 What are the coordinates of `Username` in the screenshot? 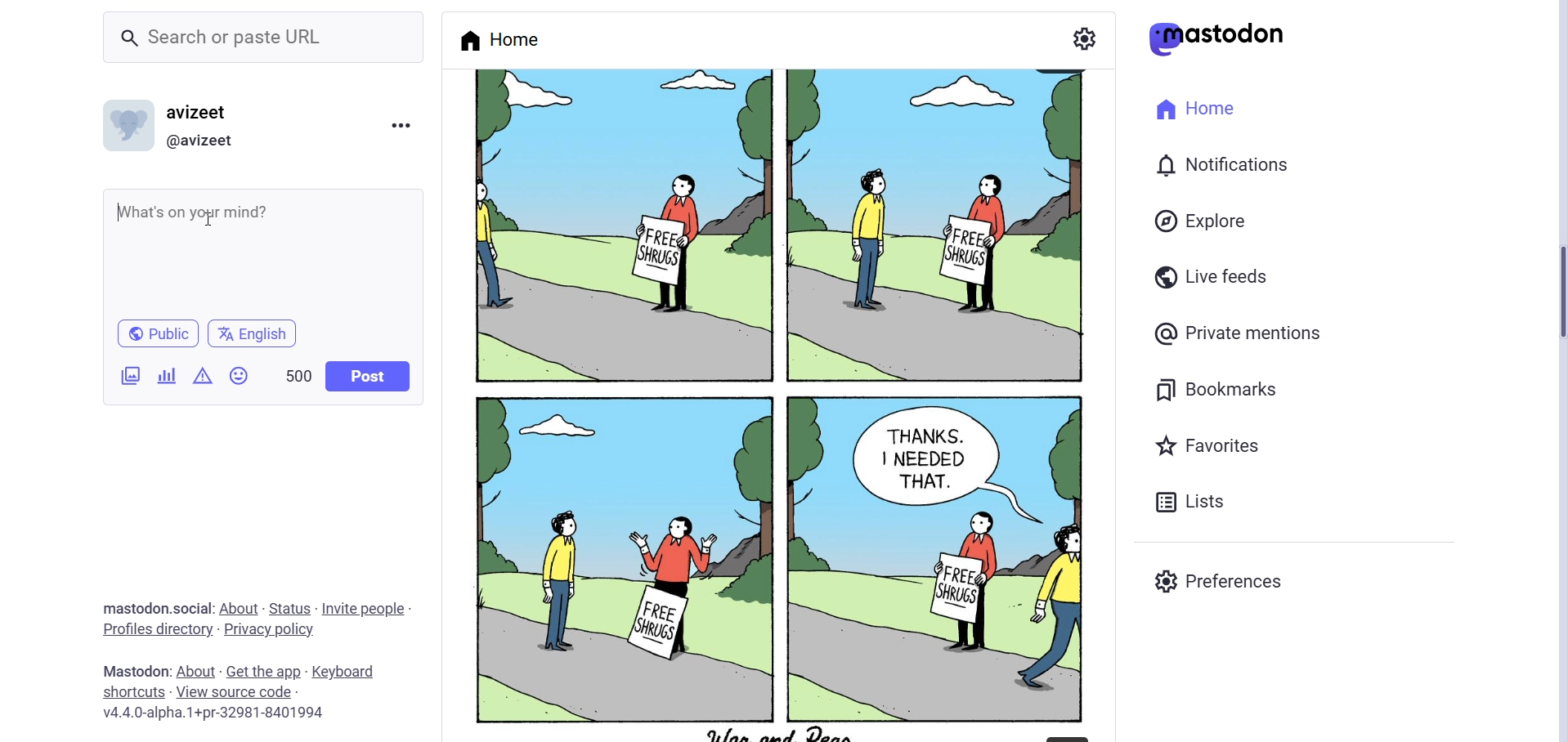 It's located at (206, 110).